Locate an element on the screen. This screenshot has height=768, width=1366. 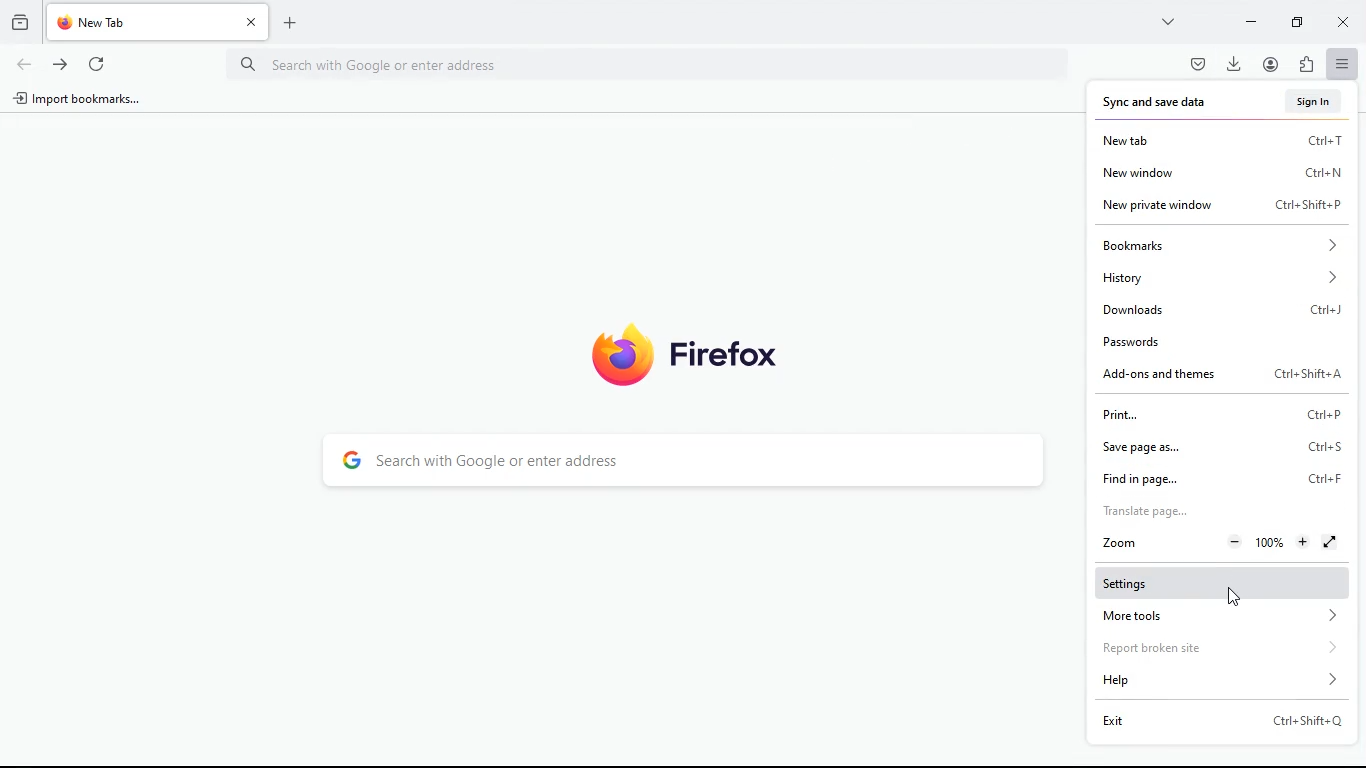
profile is located at coordinates (1275, 64).